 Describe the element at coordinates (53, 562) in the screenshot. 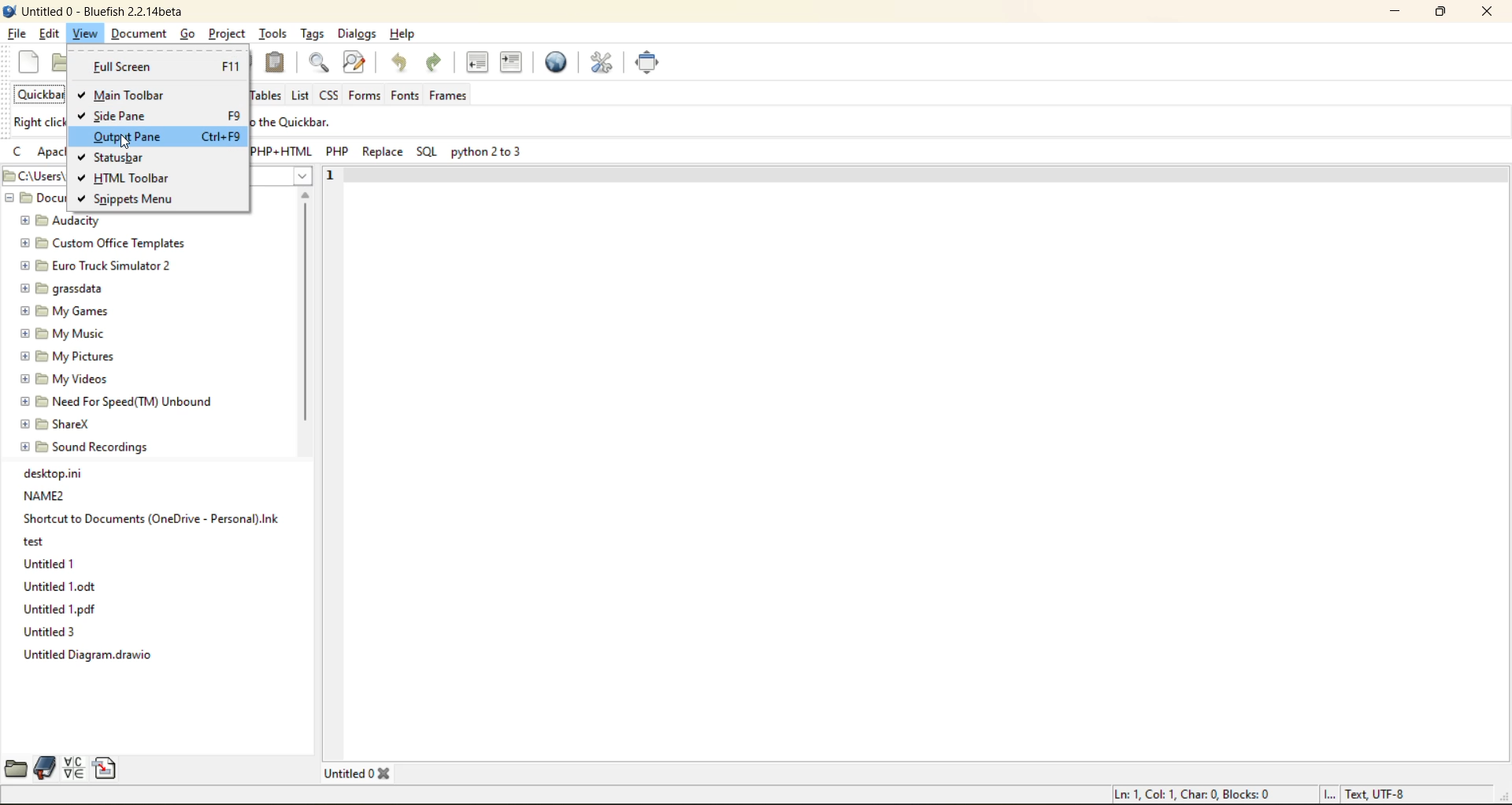

I see `Untitled 1` at that location.